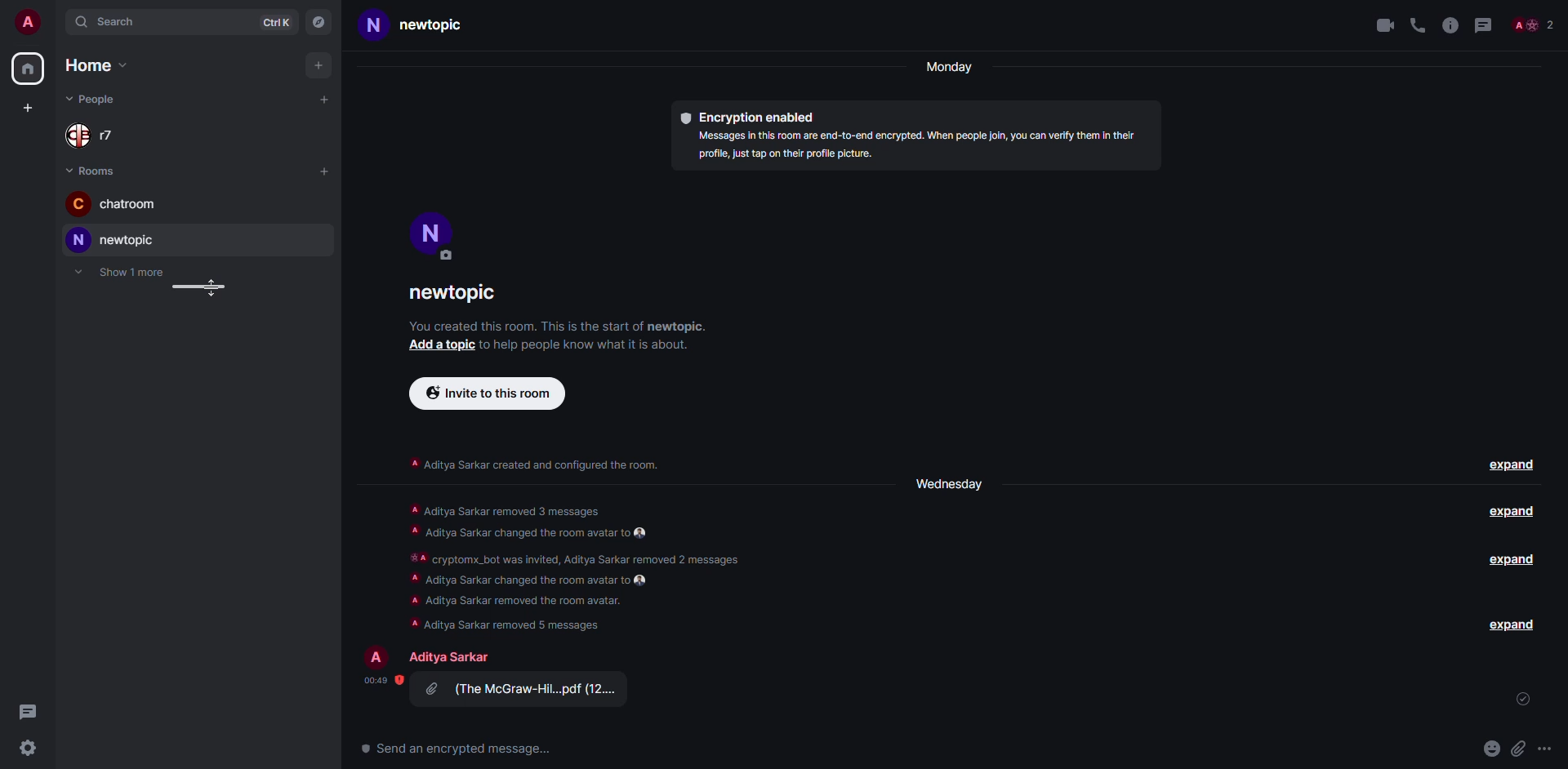 This screenshot has width=1568, height=769. What do you see at coordinates (378, 656) in the screenshot?
I see `profile` at bounding box center [378, 656].